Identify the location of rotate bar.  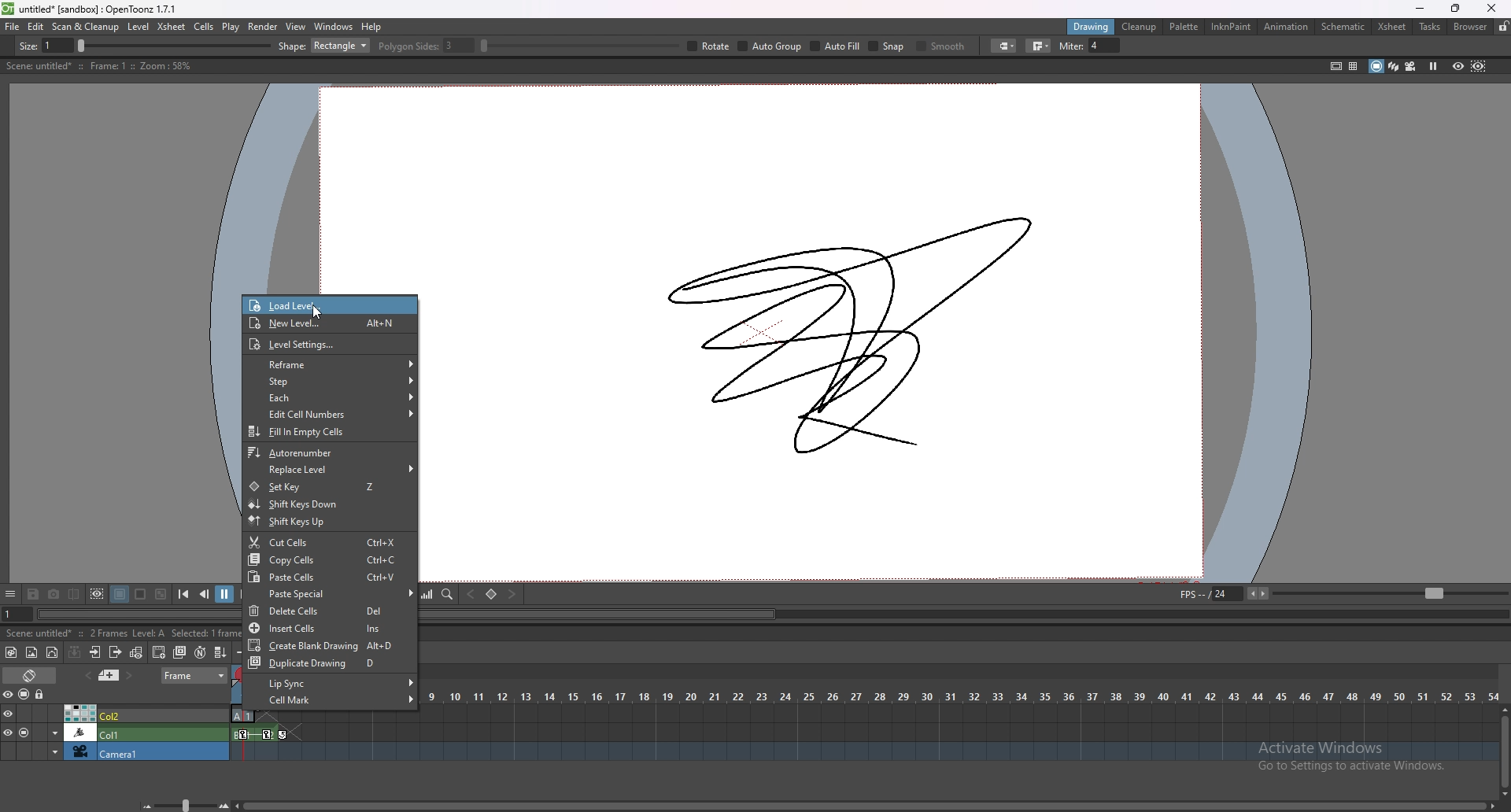
(896, 46).